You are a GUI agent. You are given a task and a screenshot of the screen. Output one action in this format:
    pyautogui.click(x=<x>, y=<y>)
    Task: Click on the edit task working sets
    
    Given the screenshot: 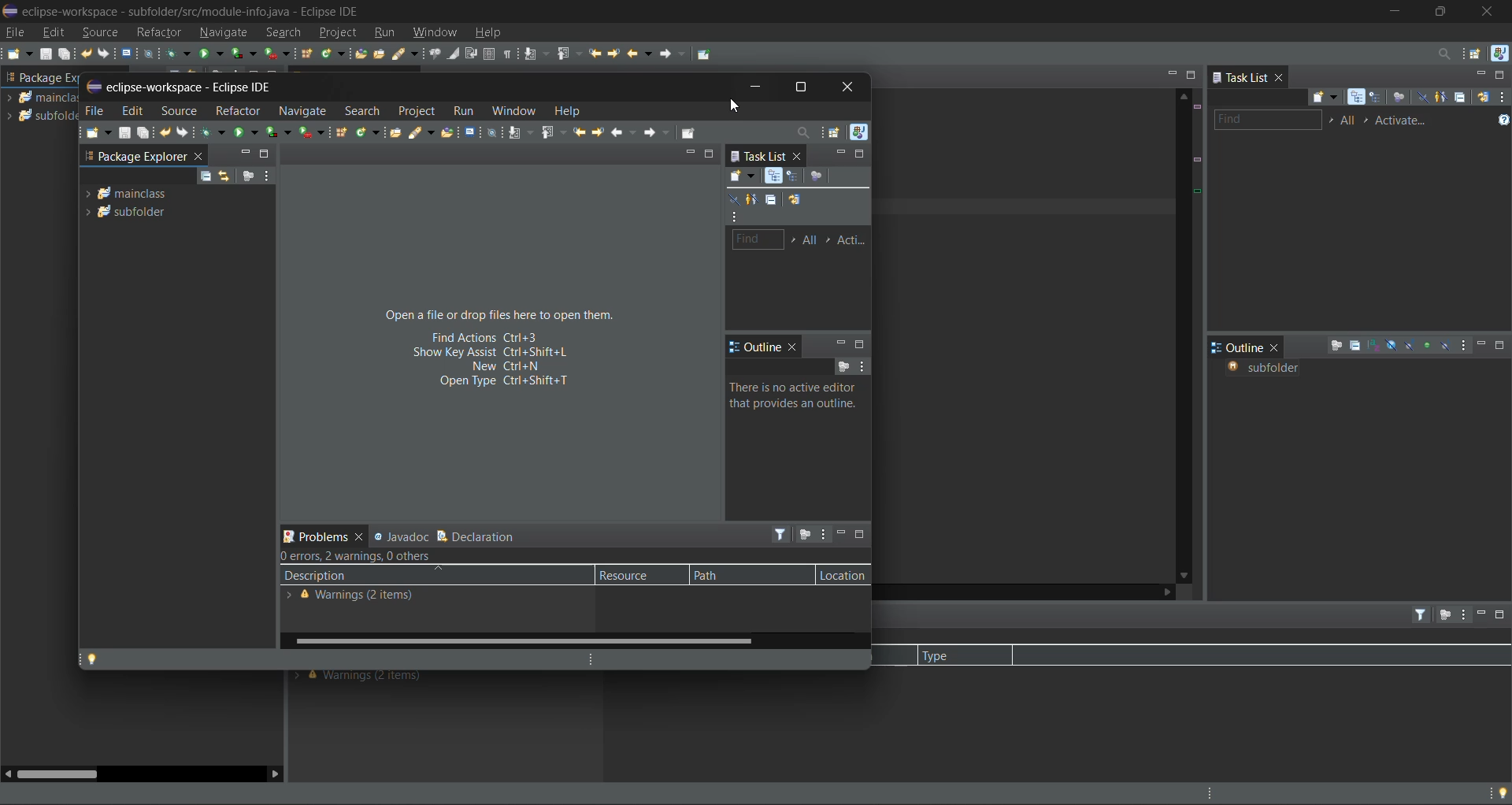 What is the action you would take?
    pyautogui.click(x=1349, y=121)
    